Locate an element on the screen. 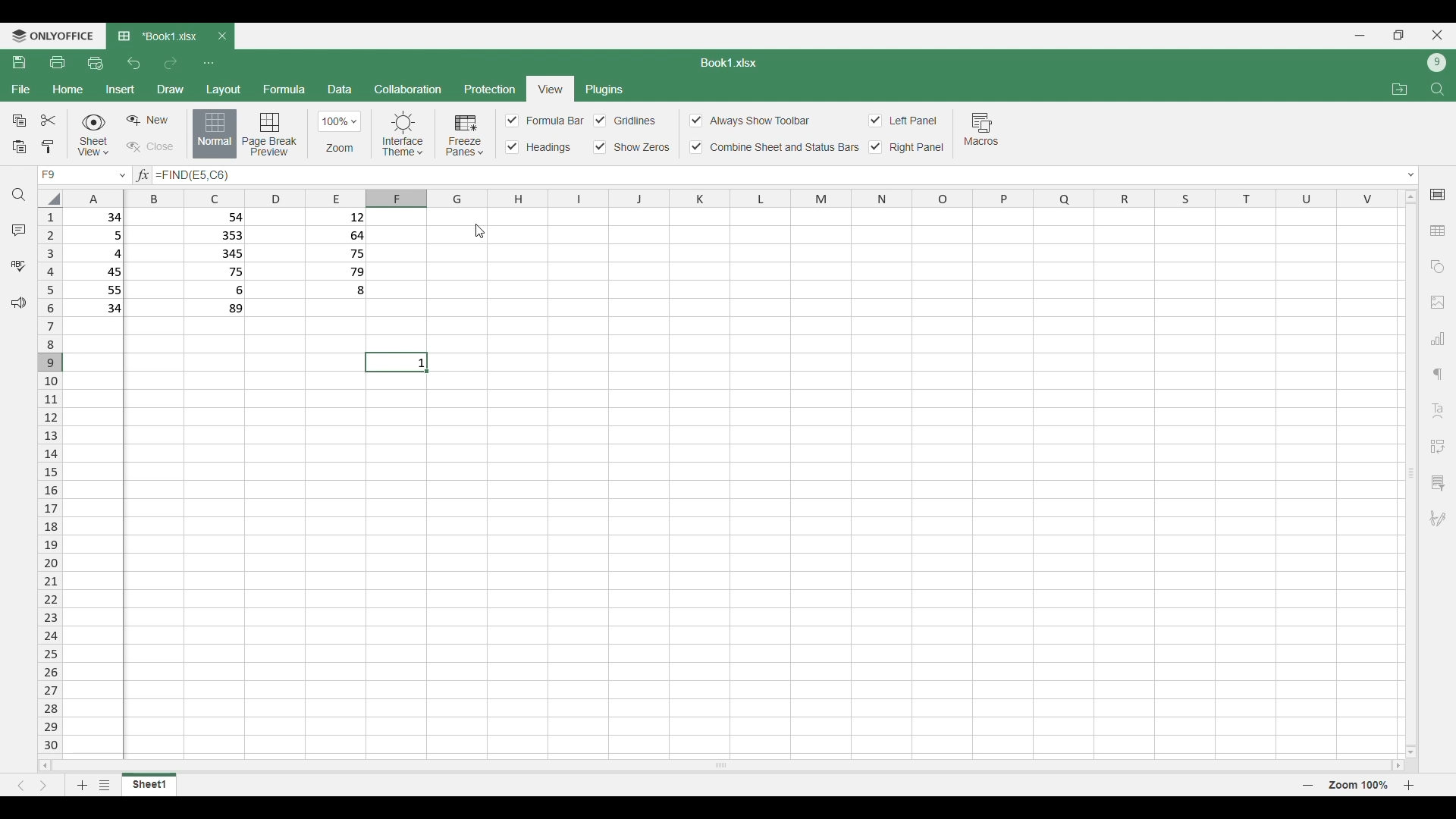 The width and height of the screenshot is (1456, 819). Paragraph settings is located at coordinates (1438, 375).